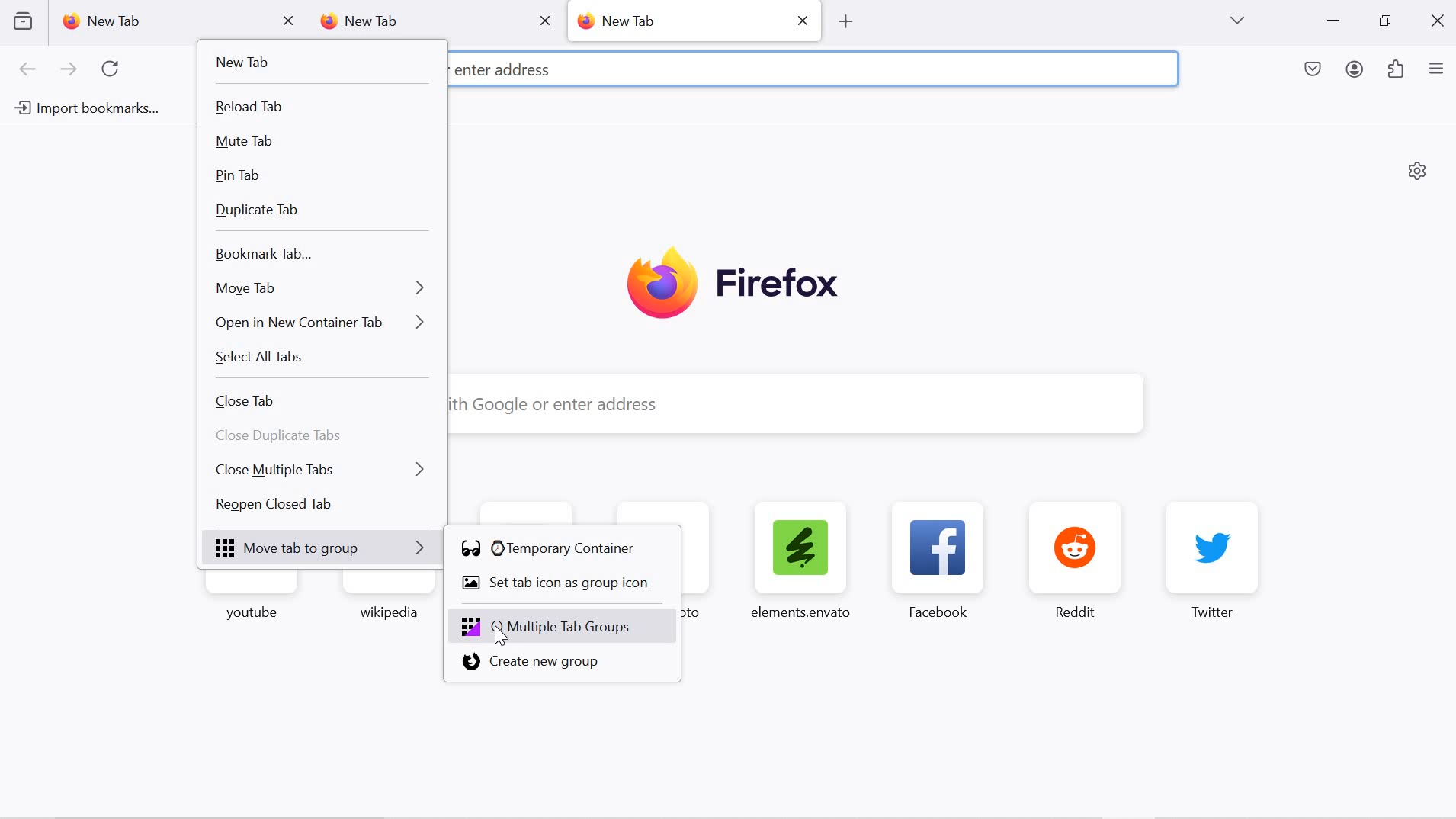  Describe the element at coordinates (255, 604) in the screenshot. I see `youtube favorite` at that location.